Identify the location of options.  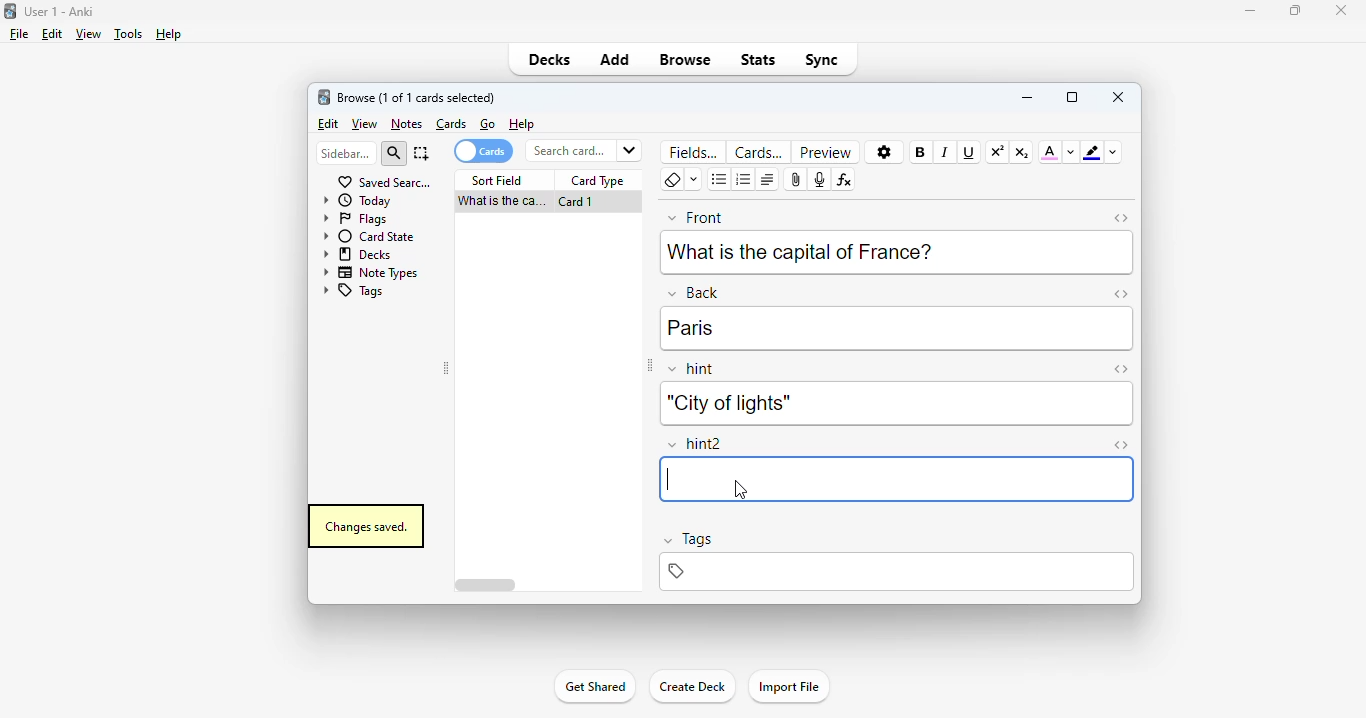
(885, 153).